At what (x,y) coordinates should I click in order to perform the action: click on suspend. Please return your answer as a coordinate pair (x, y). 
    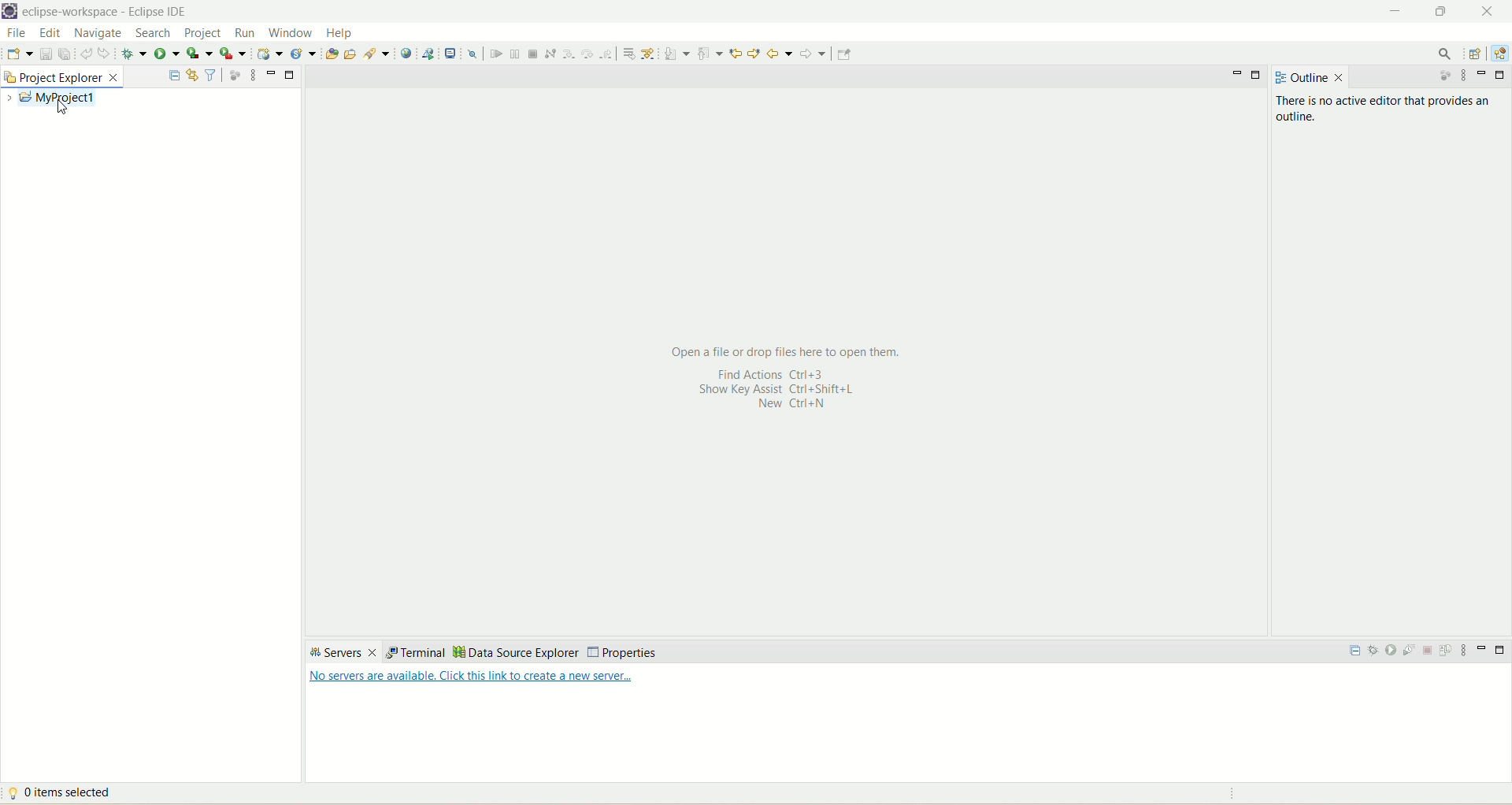
    Looking at the image, I should click on (513, 54).